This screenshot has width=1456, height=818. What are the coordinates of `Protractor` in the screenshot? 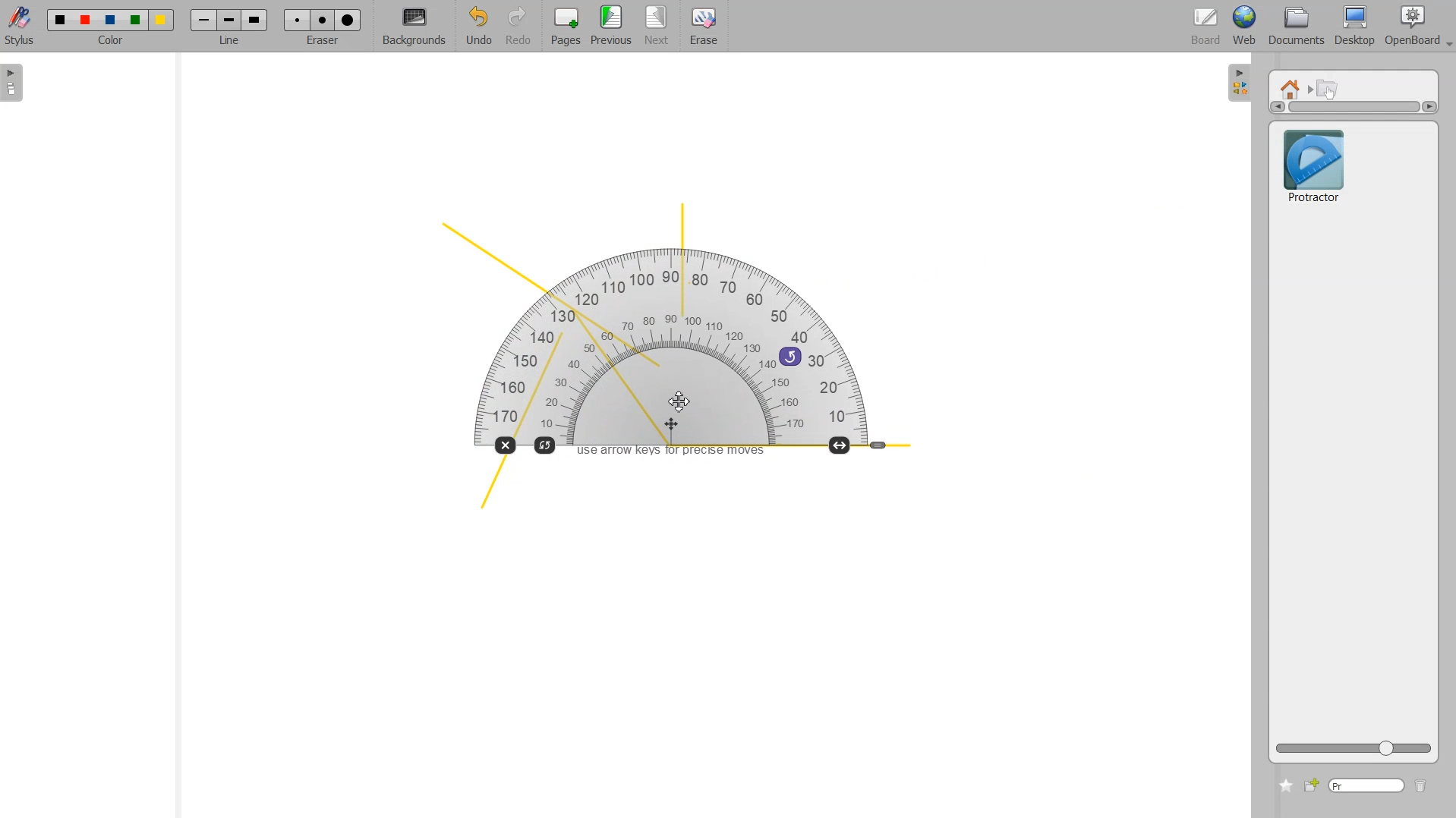 It's located at (1313, 164).